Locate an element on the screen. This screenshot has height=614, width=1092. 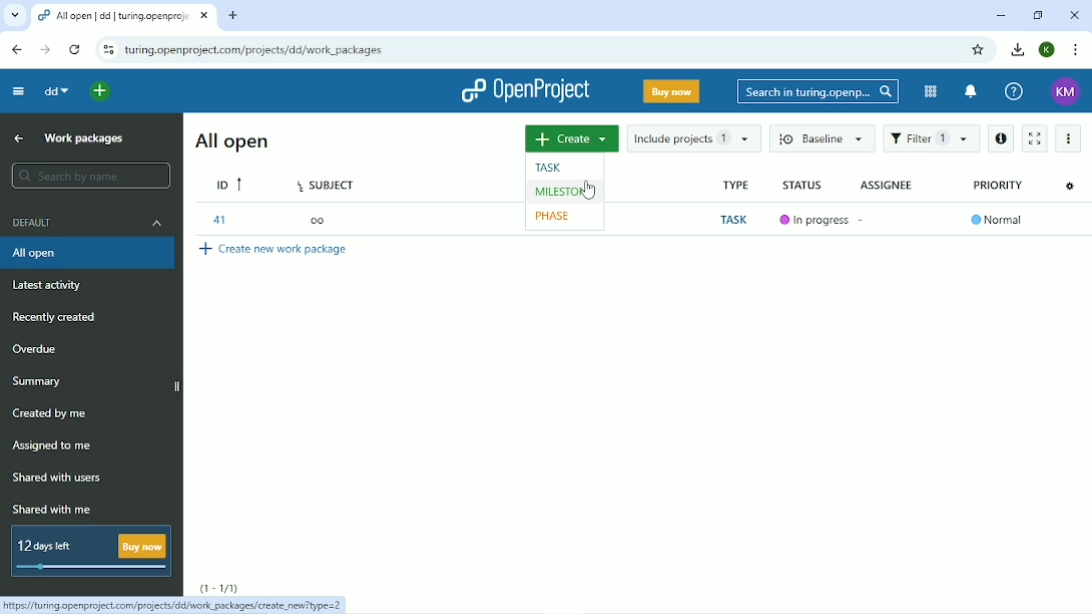
Subject is located at coordinates (329, 183).